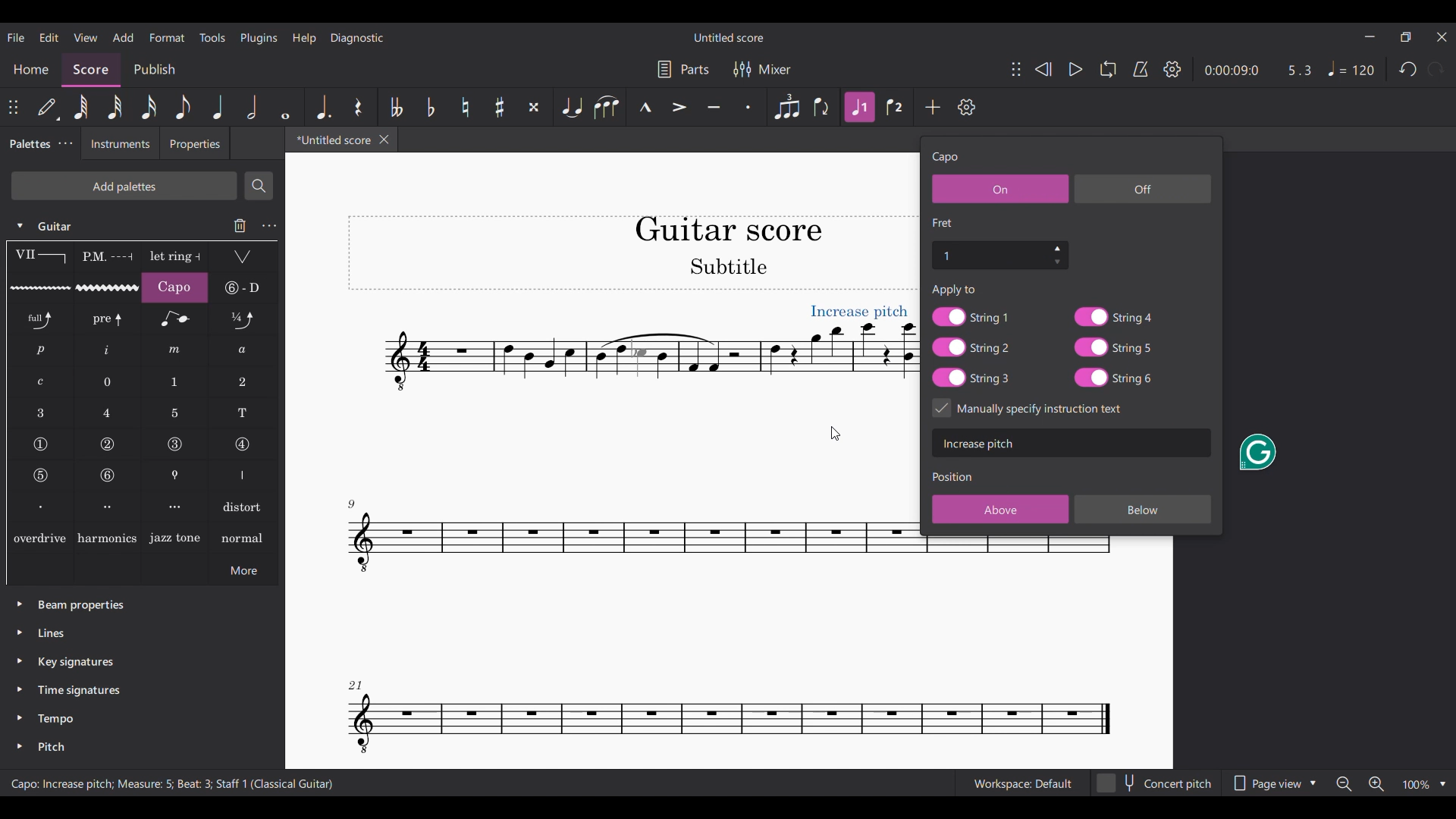 The width and height of the screenshot is (1456, 819). I want to click on 8th note, so click(183, 107).